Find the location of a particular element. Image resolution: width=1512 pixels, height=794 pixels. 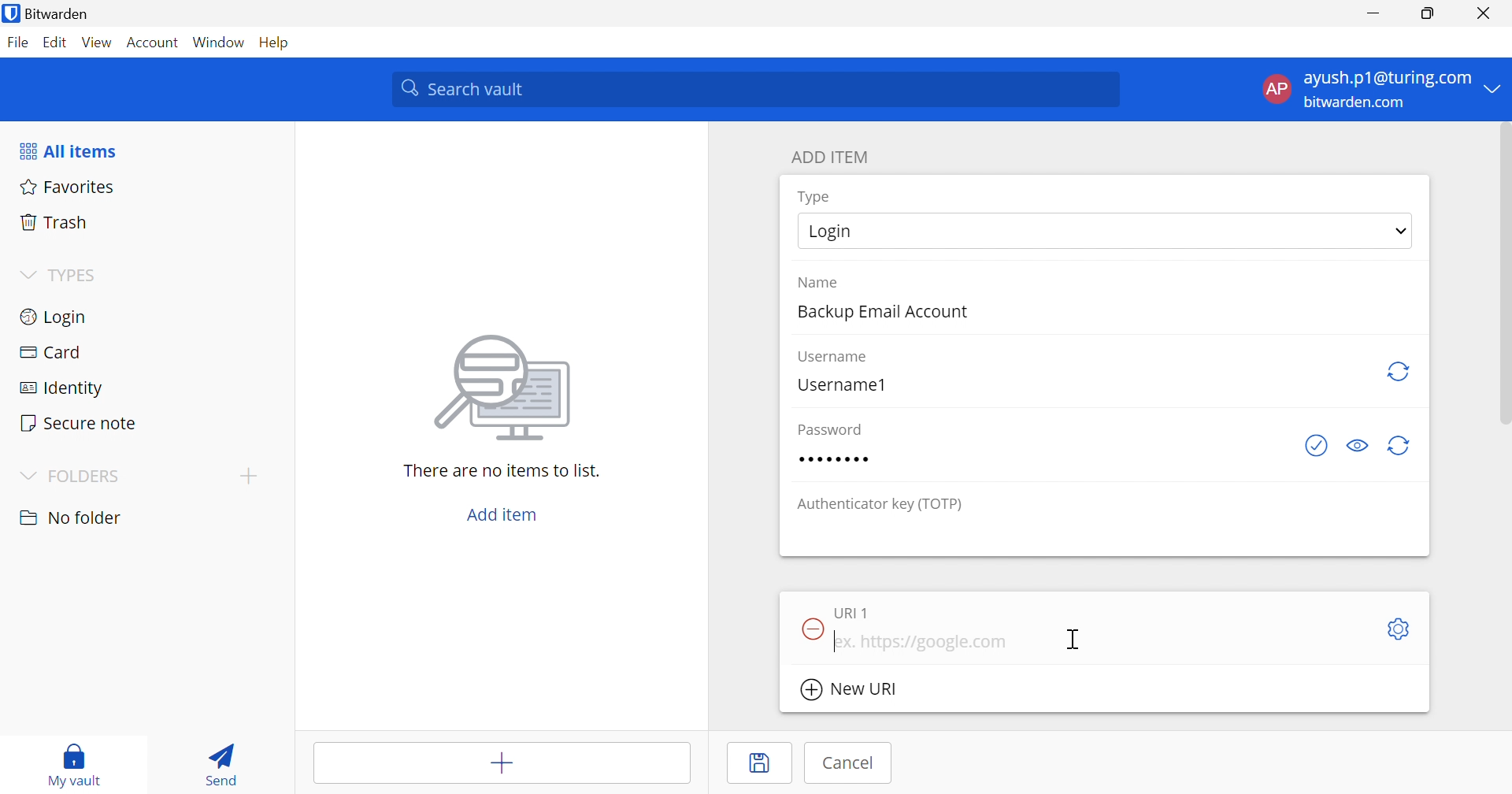

Search vault is located at coordinates (759, 90).